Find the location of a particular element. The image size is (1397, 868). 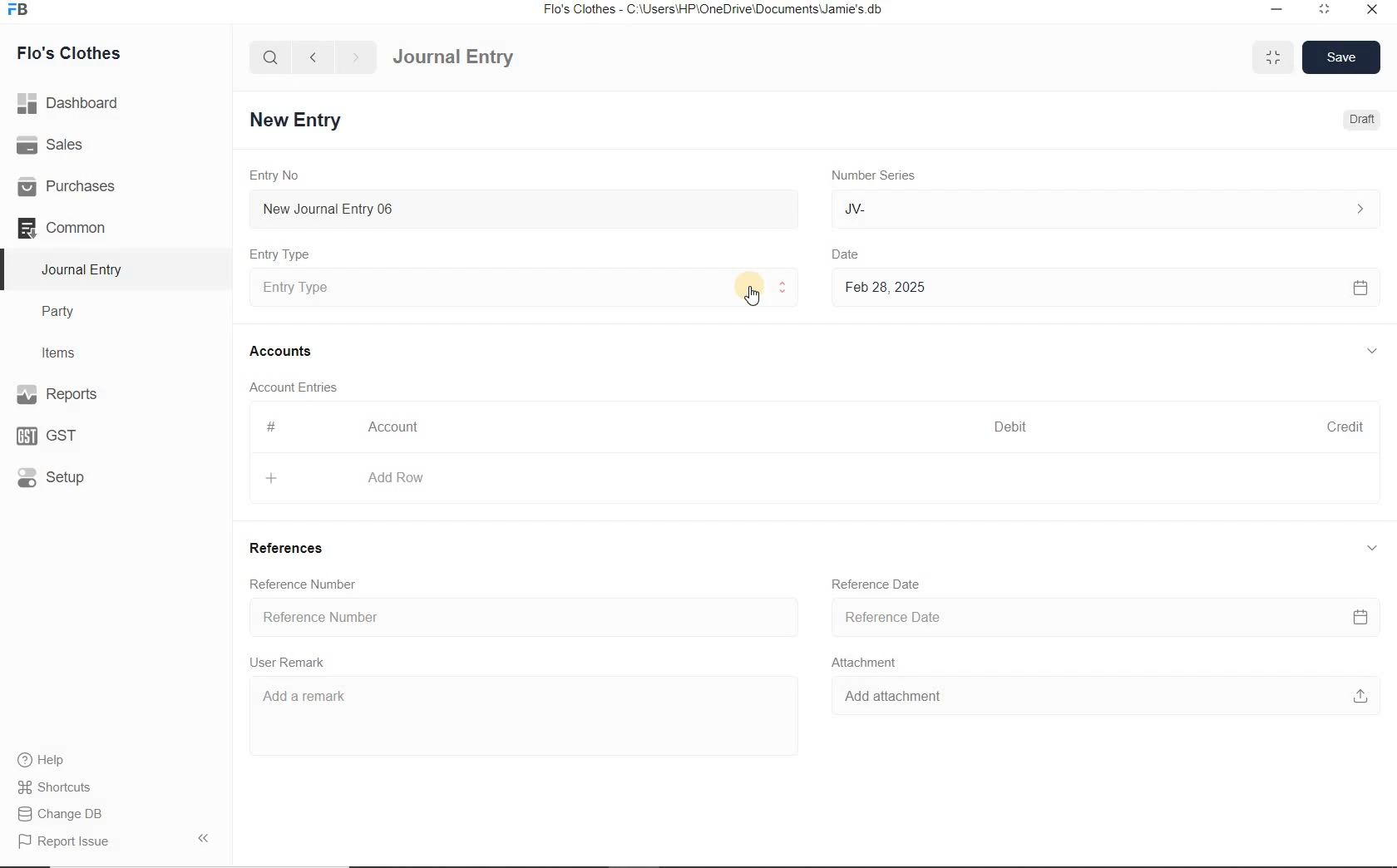

Add attachment is located at coordinates (1105, 697).